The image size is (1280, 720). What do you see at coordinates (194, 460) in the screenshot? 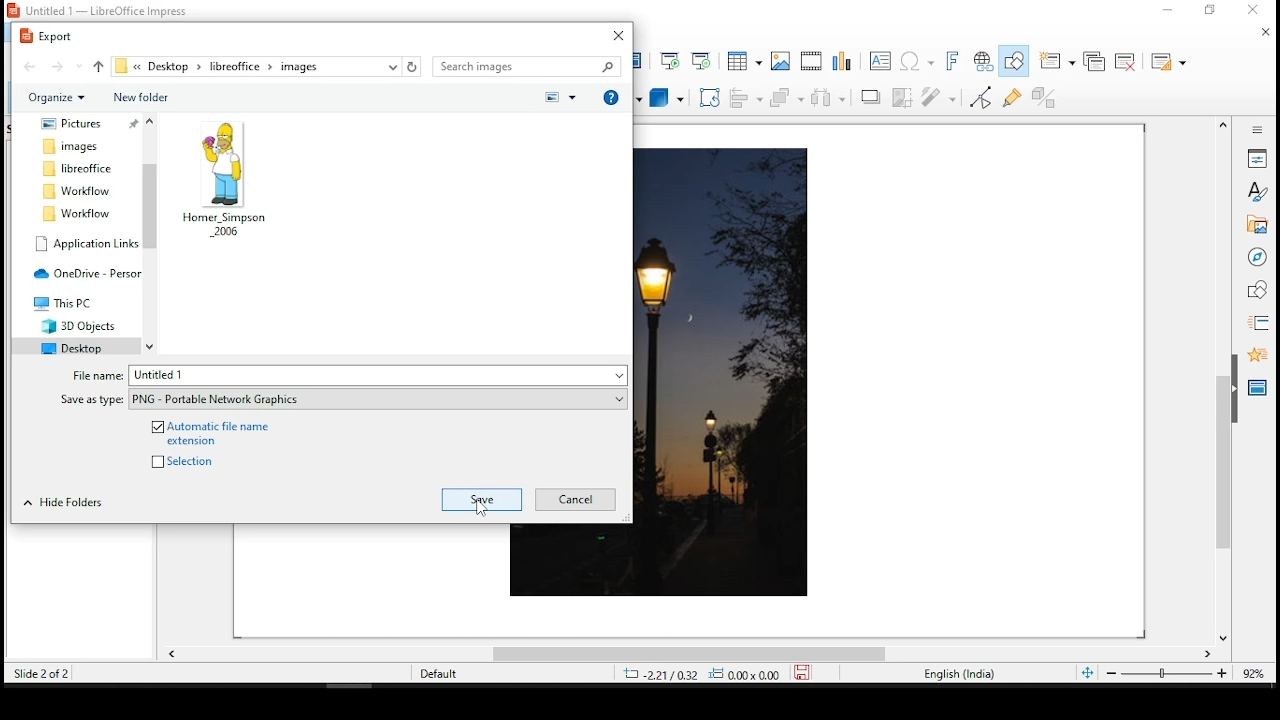
I see `selection` at bounding box center [194, 460].